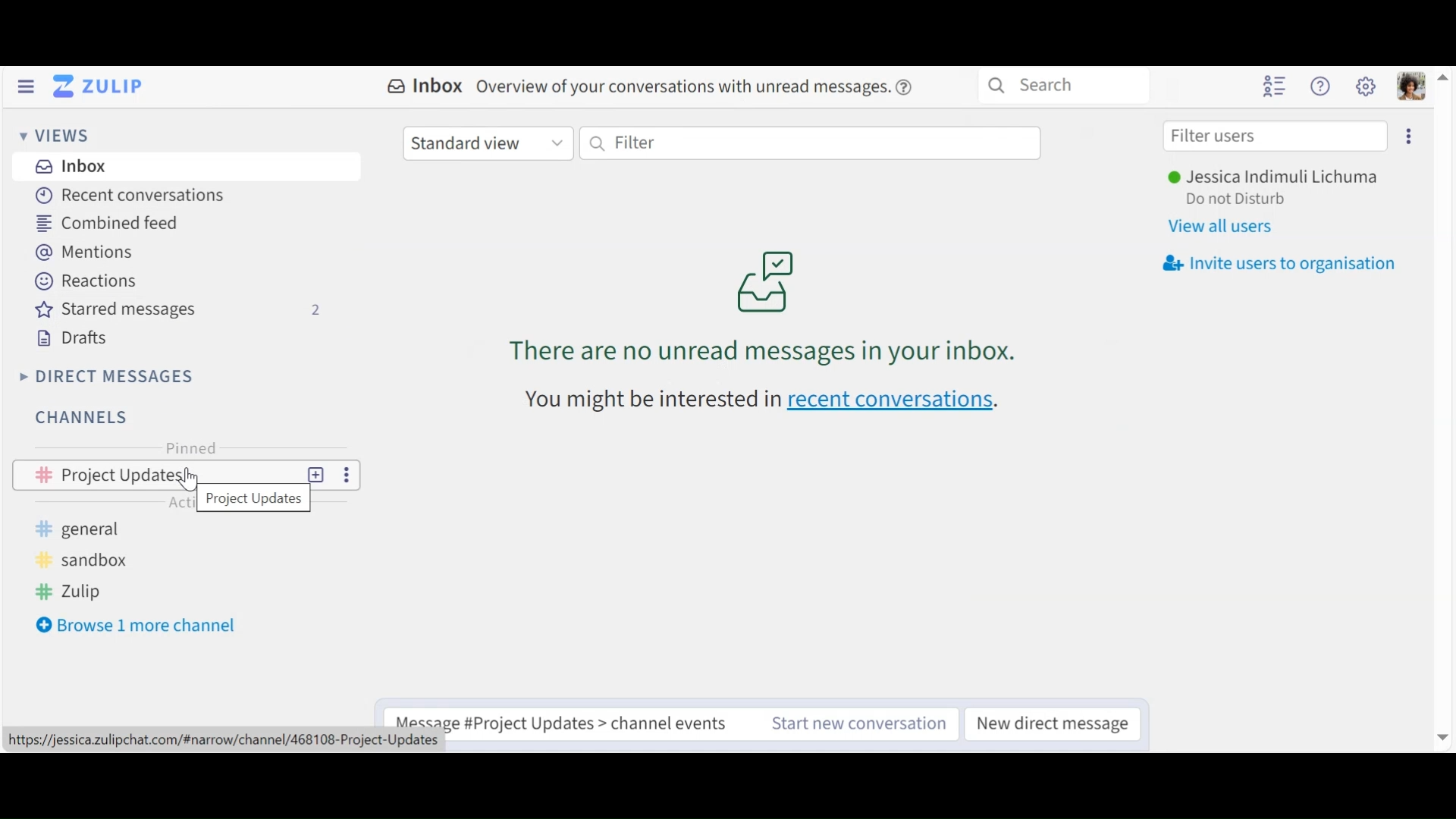 Image resolution: width=1456 pixels, height=819 pixels. What do you see at coordinates (75, 339) in the screenshot?
I see `Drafts` at bounding box center [75, 339].